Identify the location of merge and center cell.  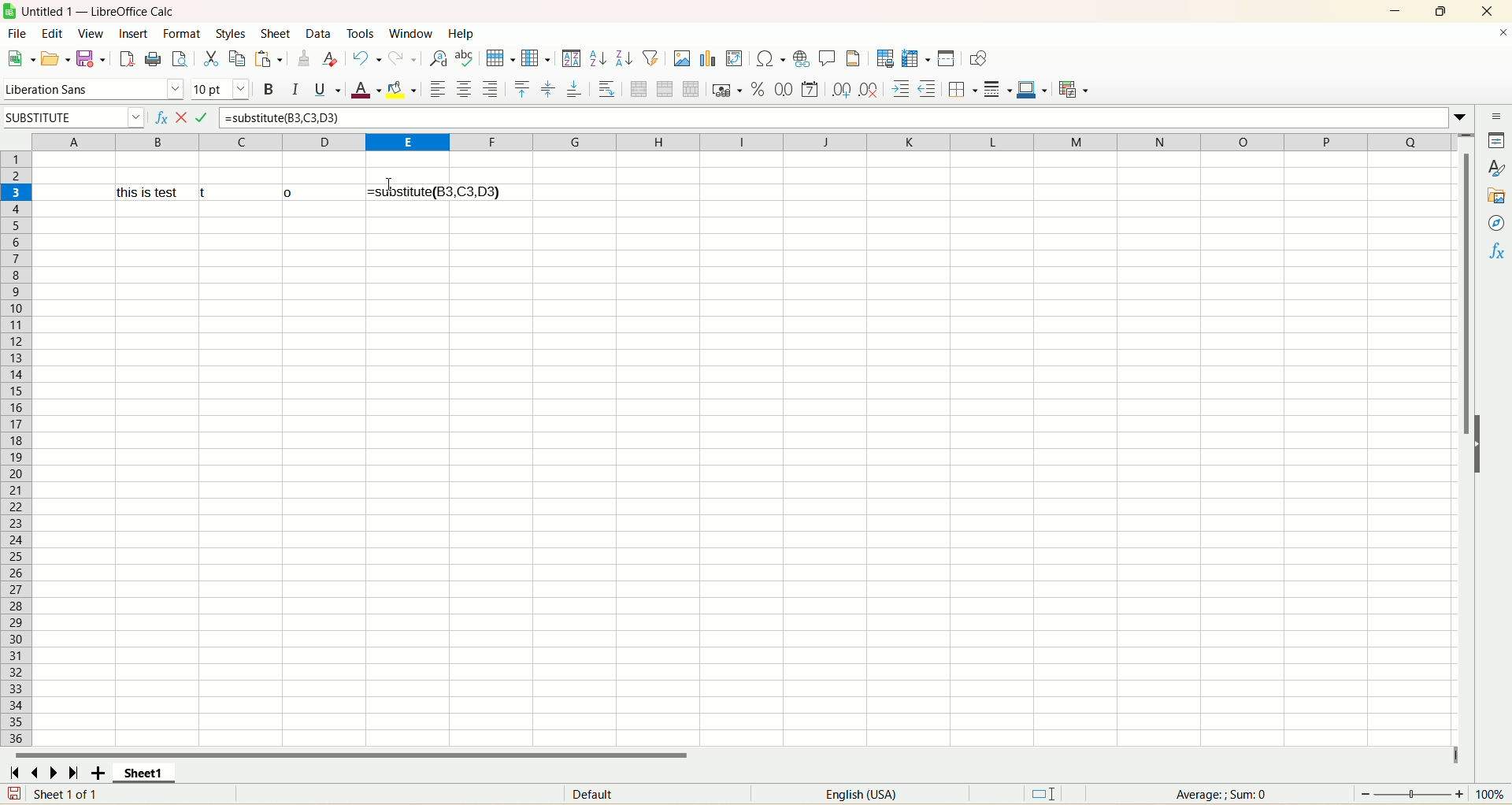
(641, 91).